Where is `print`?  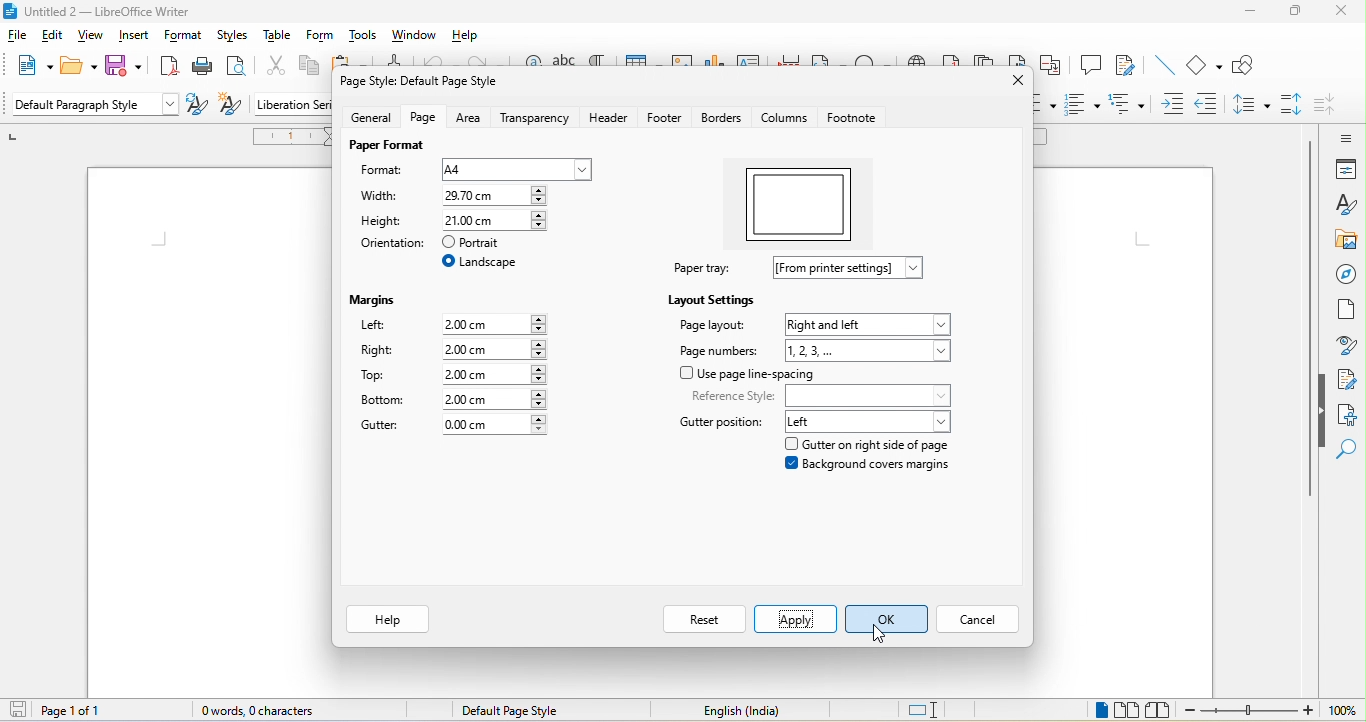 print is located at coordinates (207, 67).